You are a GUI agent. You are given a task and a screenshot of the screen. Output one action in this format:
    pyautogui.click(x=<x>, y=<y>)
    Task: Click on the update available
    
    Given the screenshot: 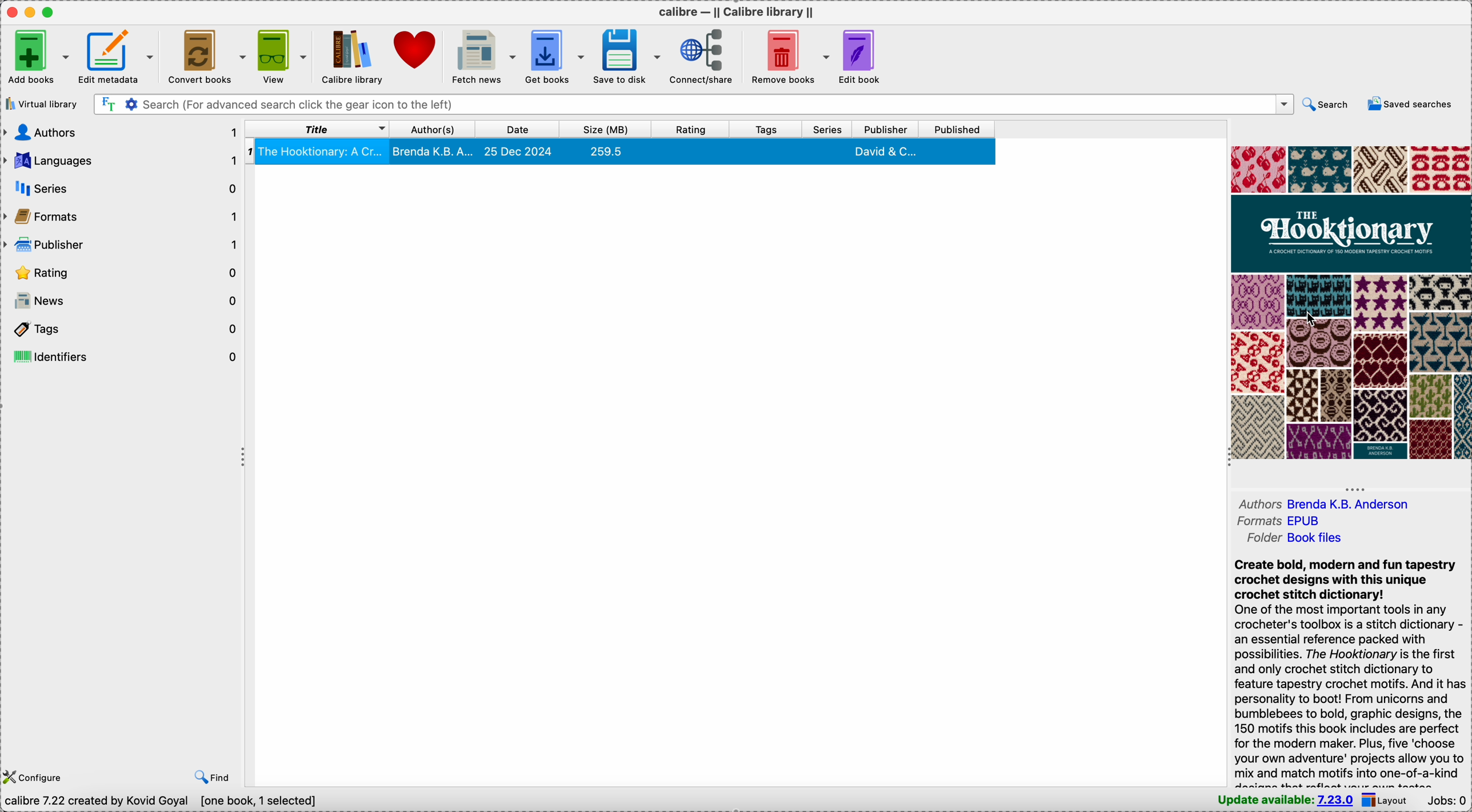 What is the action you would take?
    pyautogui.click(x=1282, y=802)
    